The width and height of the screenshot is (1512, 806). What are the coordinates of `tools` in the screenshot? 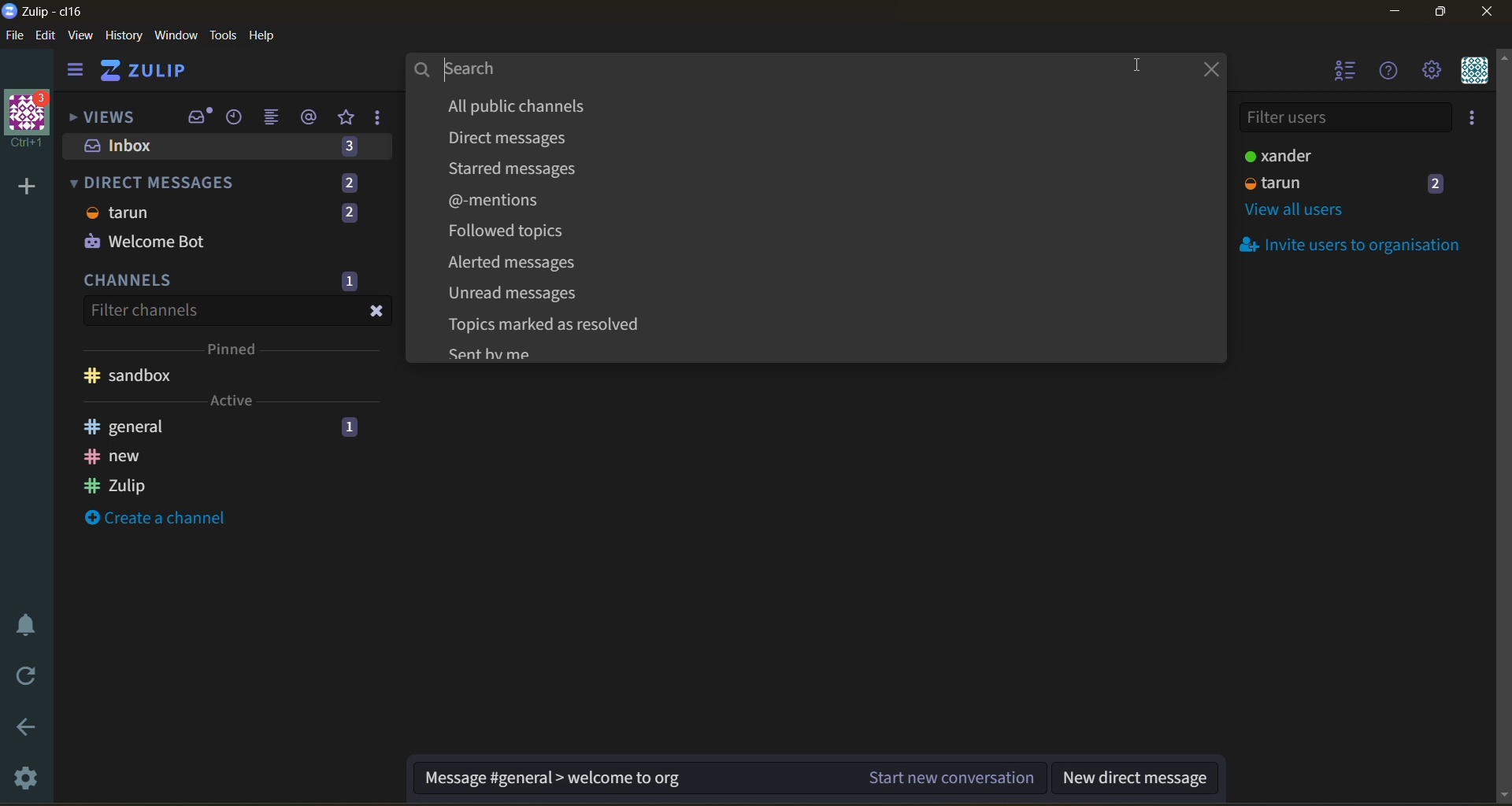 It's located at (223, 35).